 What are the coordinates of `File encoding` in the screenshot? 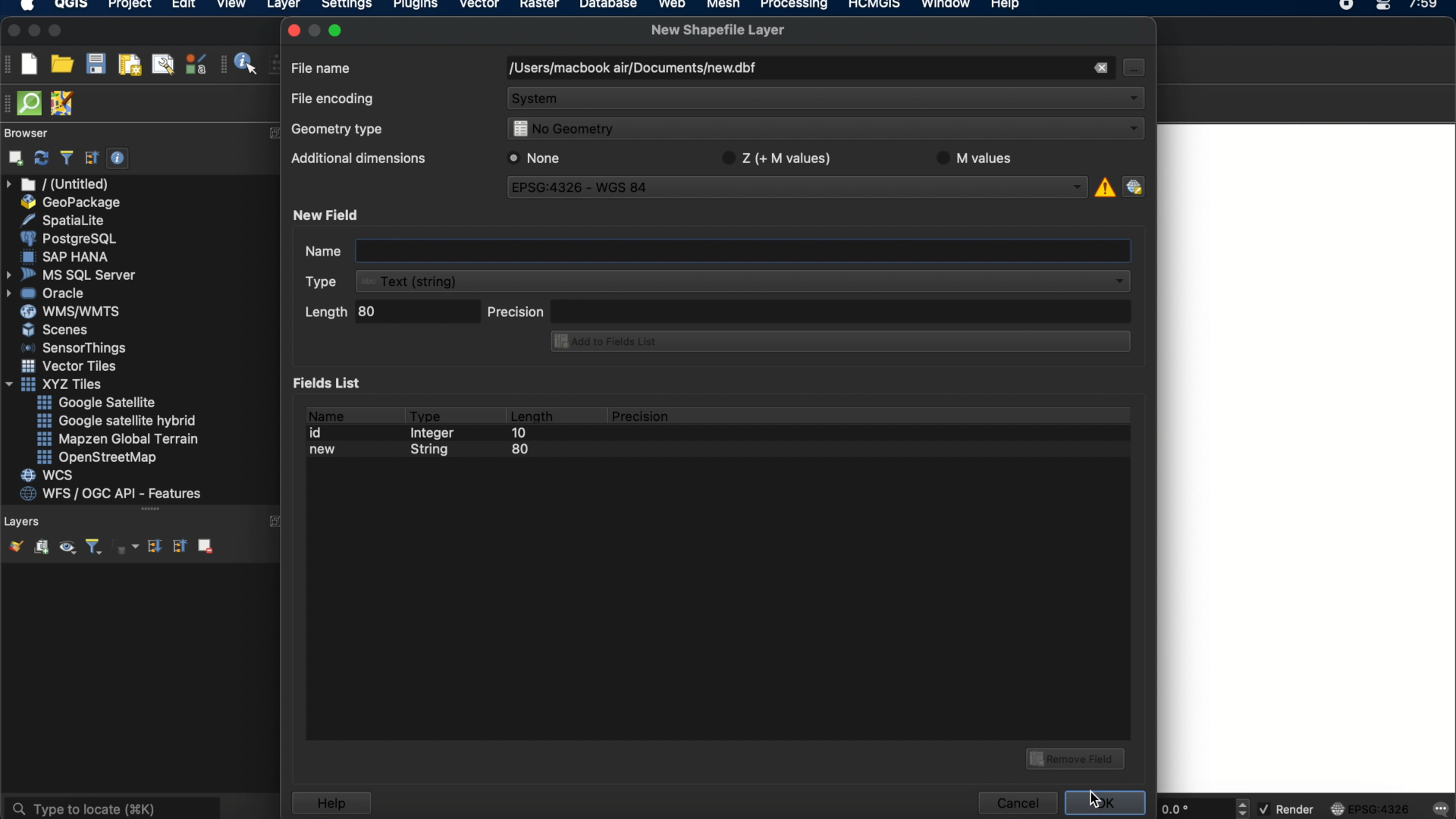 It's located at (334, 99).